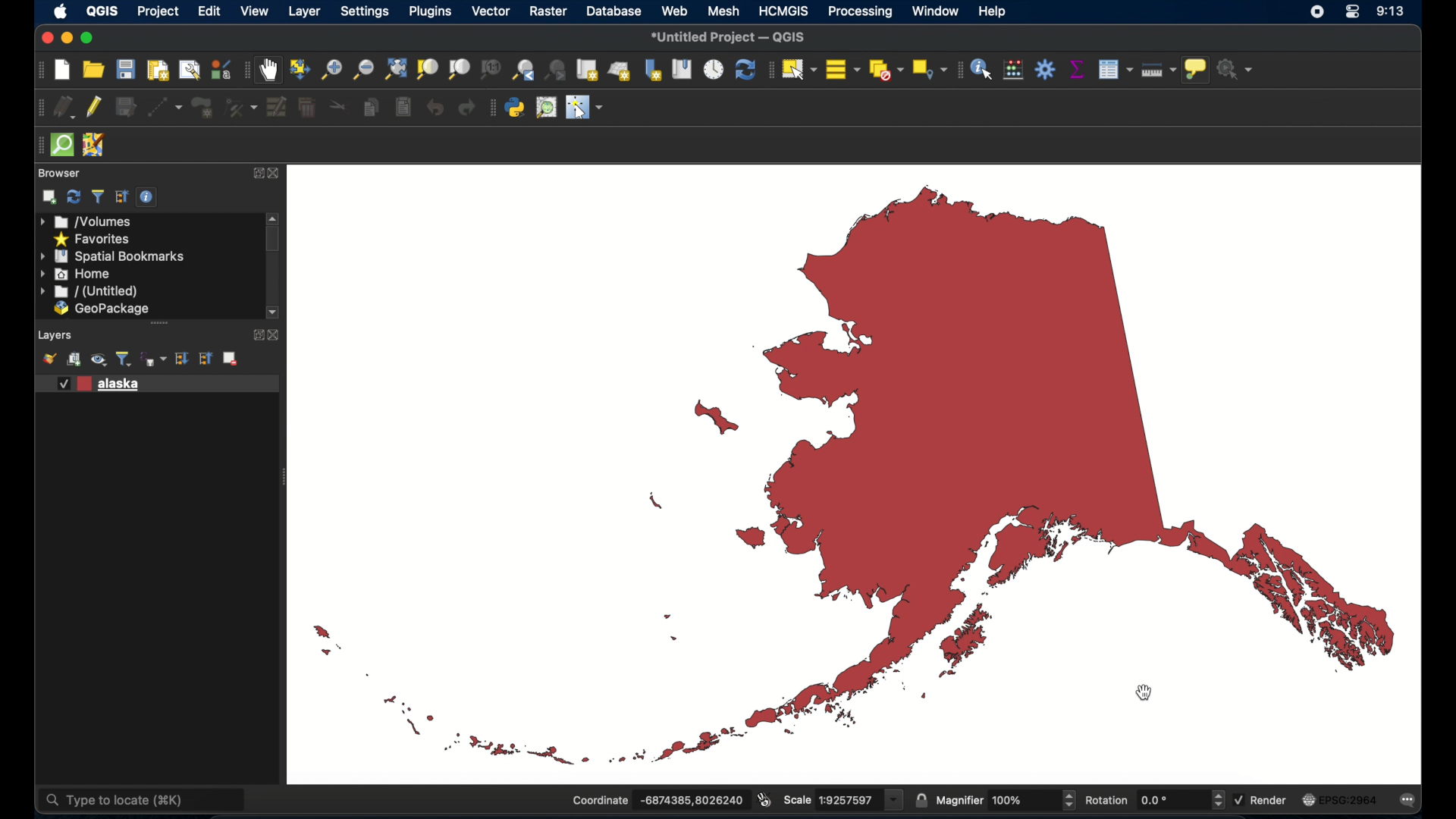 This screenshot has height=819, width=1456. What do you see at coordinates (490, 11) in the screenshot?
I see `vector` at bounding box center [490, 11].